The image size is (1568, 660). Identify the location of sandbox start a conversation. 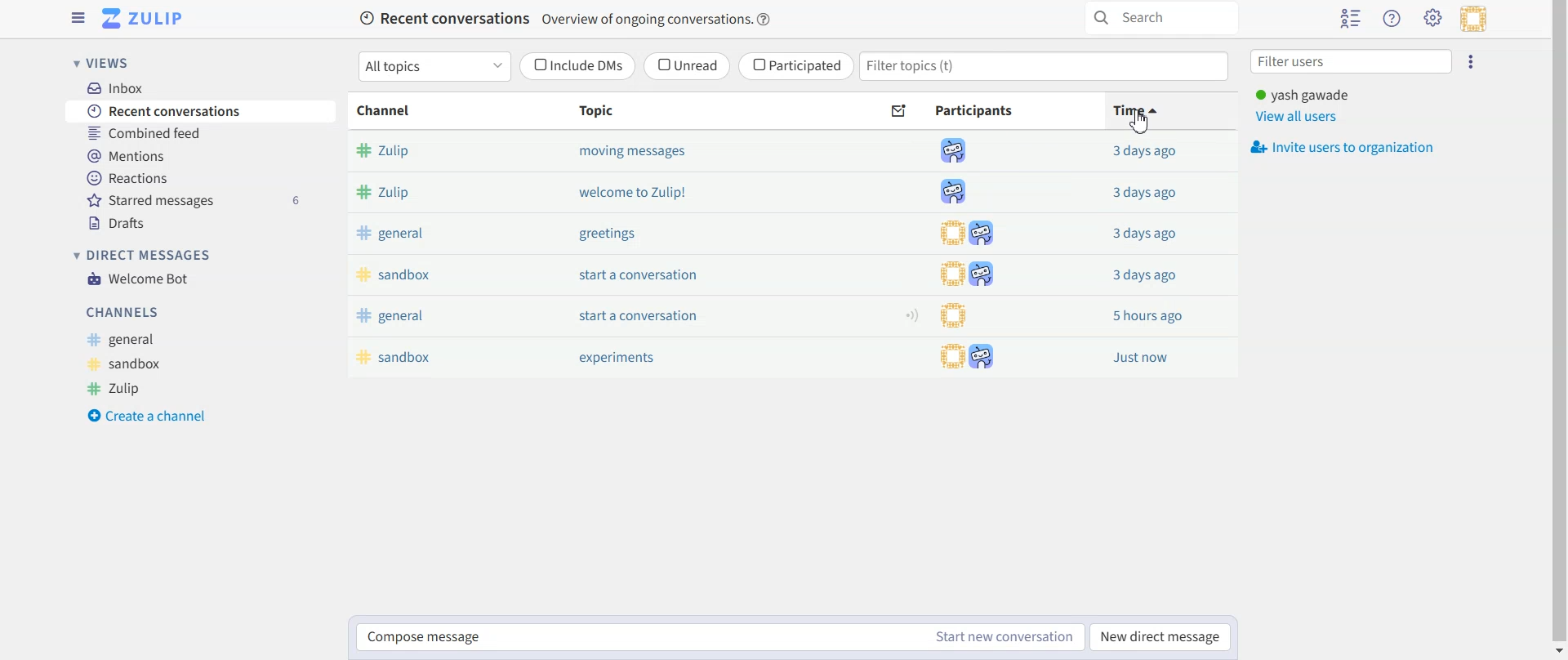
(537, 274).